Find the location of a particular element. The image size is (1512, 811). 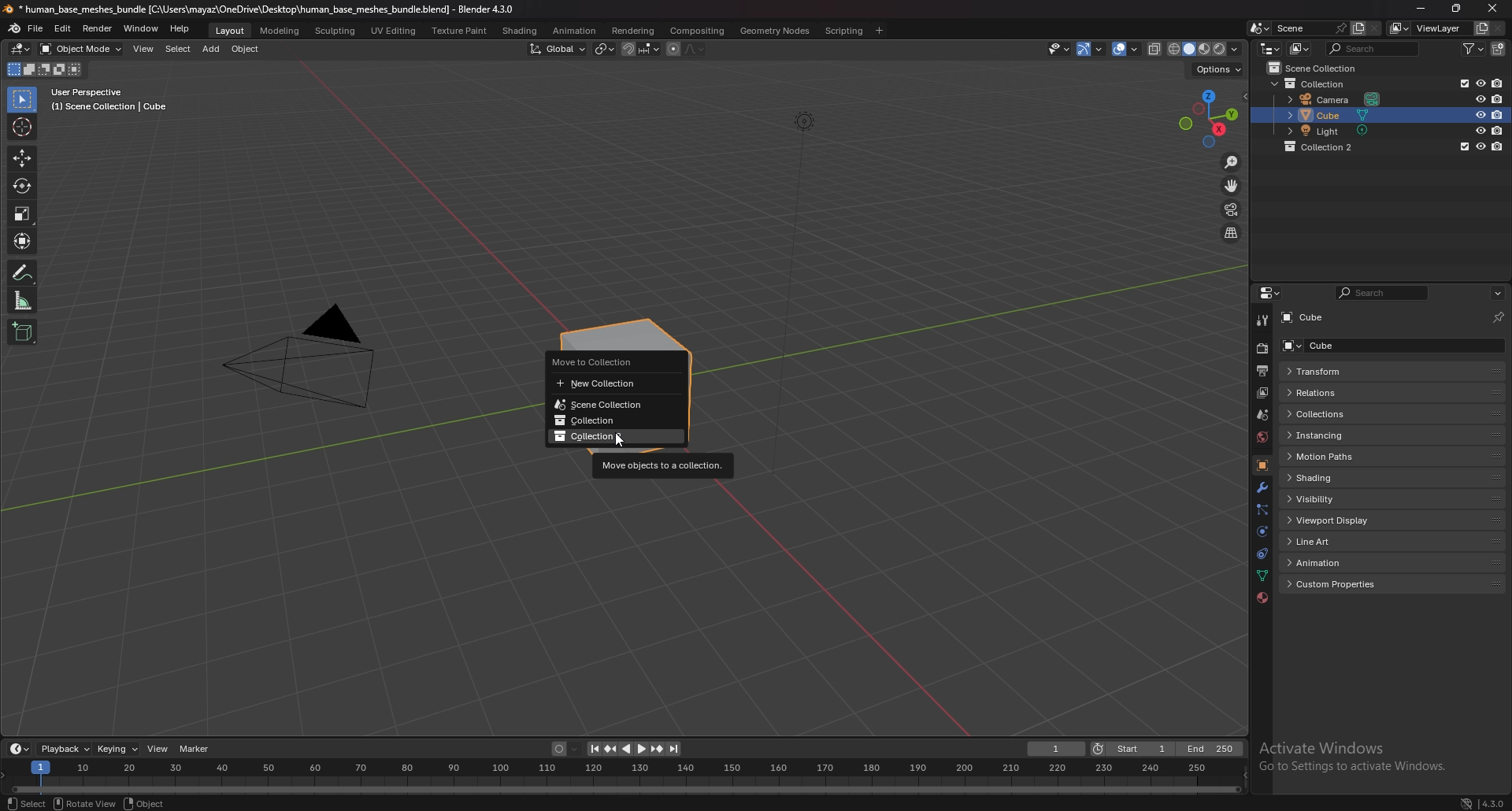

select is located at coordinates (24, 100).